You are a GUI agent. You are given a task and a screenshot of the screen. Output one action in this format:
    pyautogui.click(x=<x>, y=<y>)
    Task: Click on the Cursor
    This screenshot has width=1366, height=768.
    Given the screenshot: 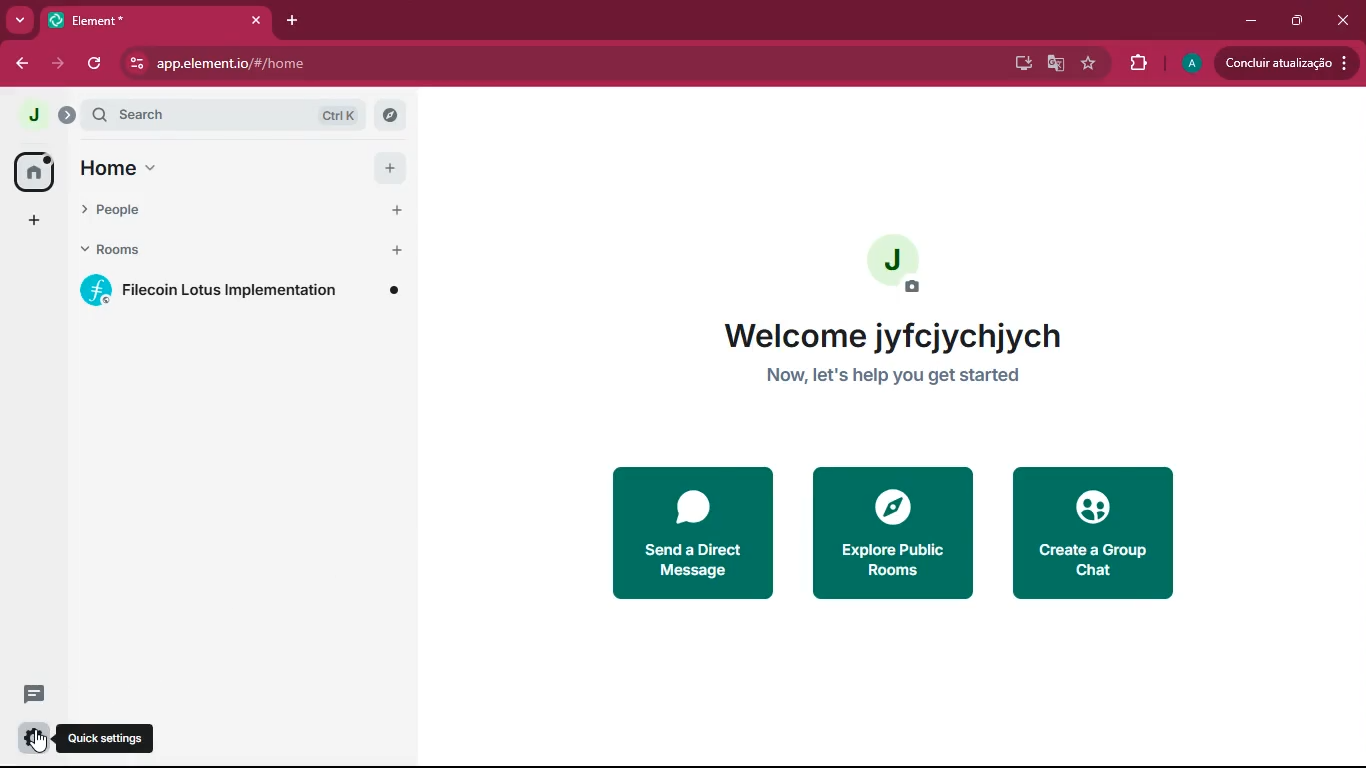 What is the action you would take?
    pyautogui.click(x=39, y=741)
    